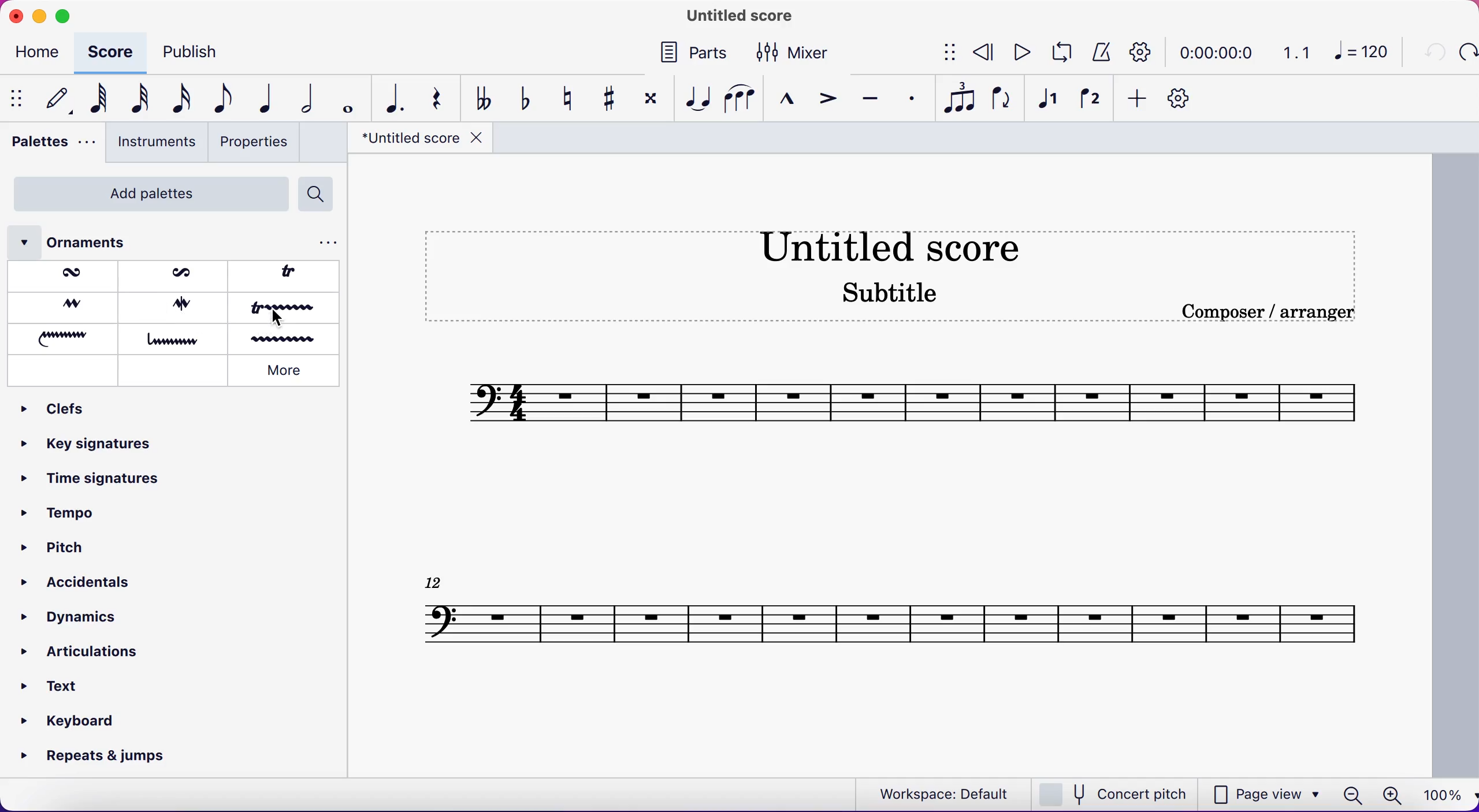 The width and height of the screenshot is (1479, 812). Describe the element at coordinates (329, 243) in the screenshot. I see `more options` at that location.